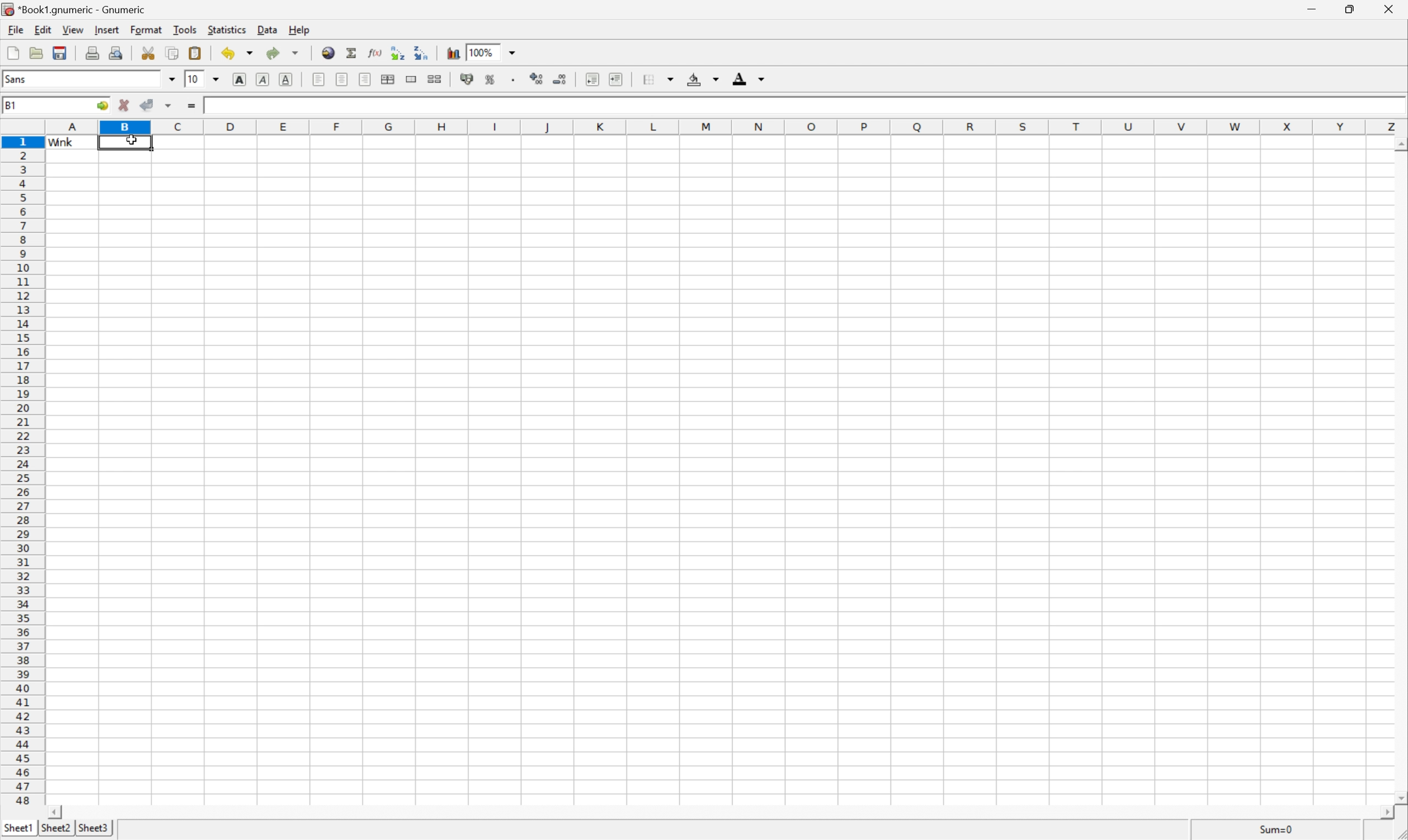 The width and height of the screenshot is (1408, 840). I want to click on print, so click(92, 53).